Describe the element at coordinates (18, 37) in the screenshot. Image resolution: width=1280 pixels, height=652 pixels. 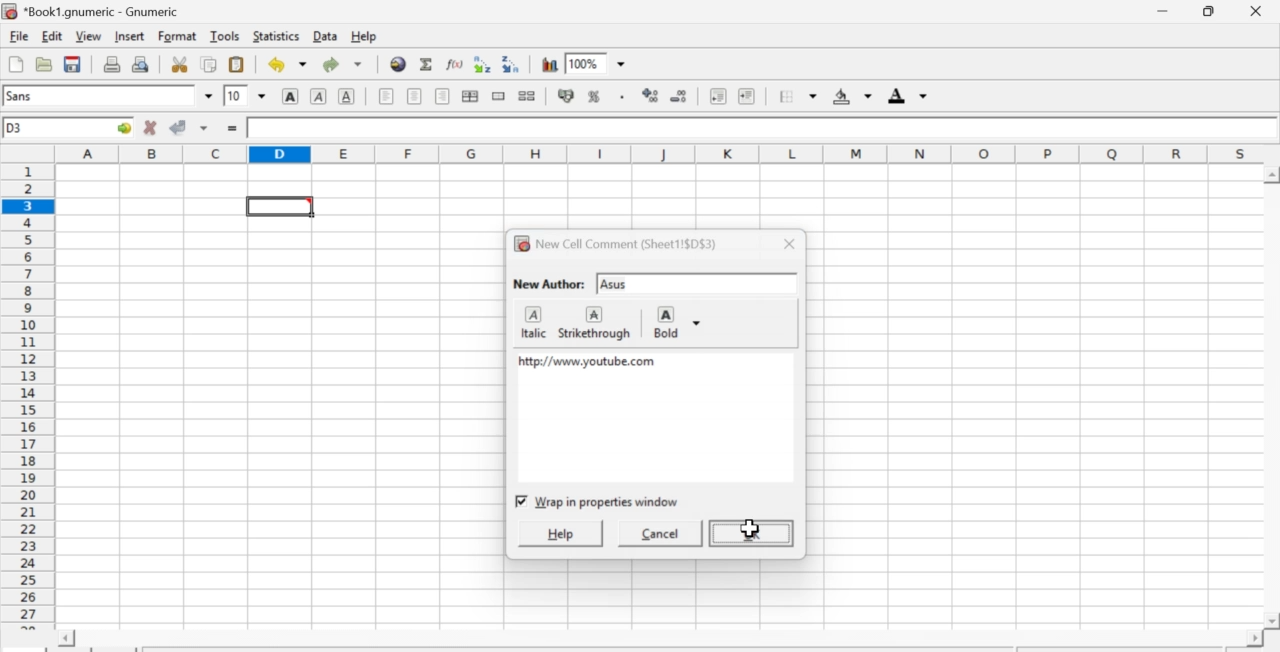
I see `File` at that location.